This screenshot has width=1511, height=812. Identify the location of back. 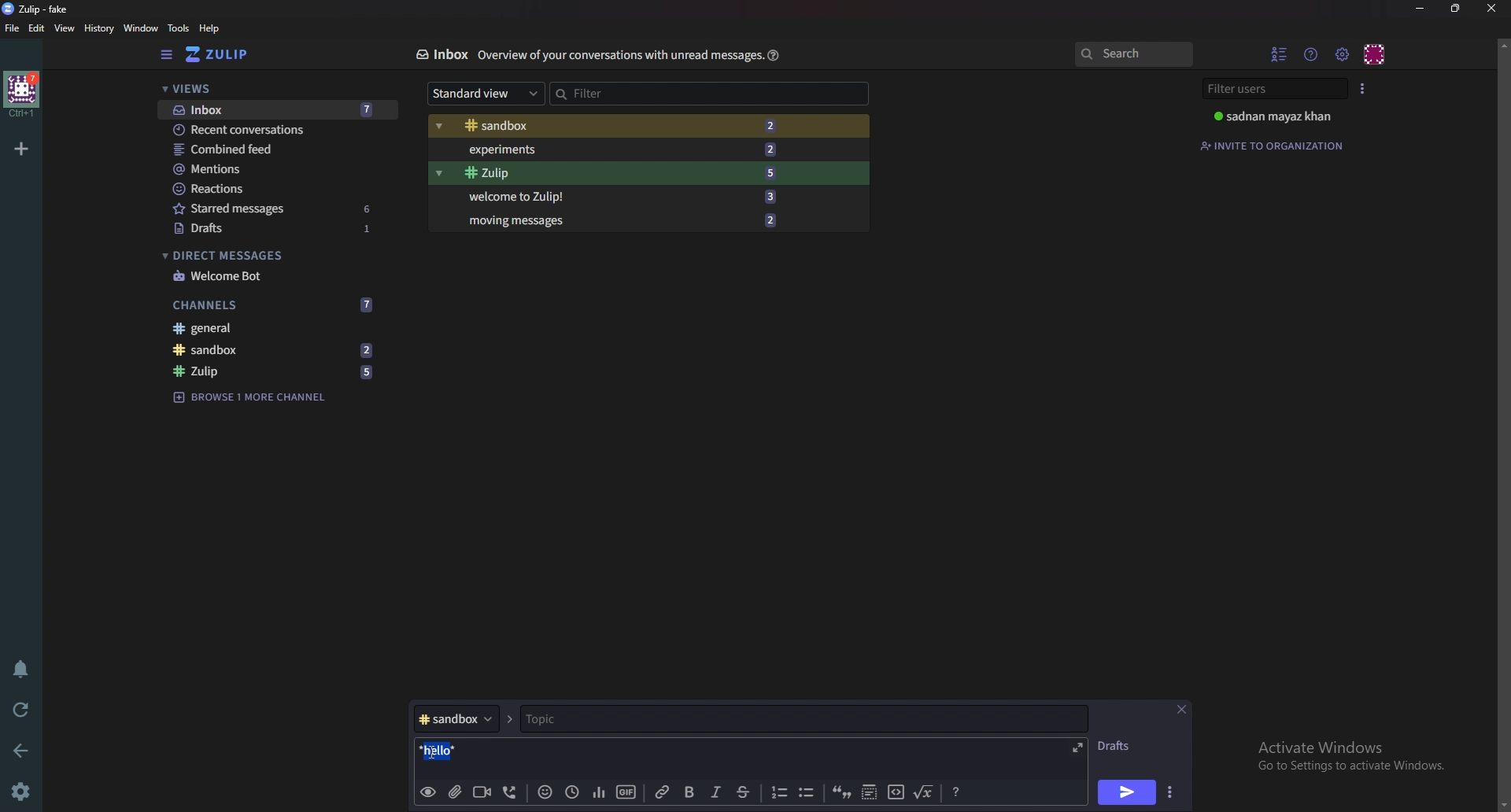
(22, 751).